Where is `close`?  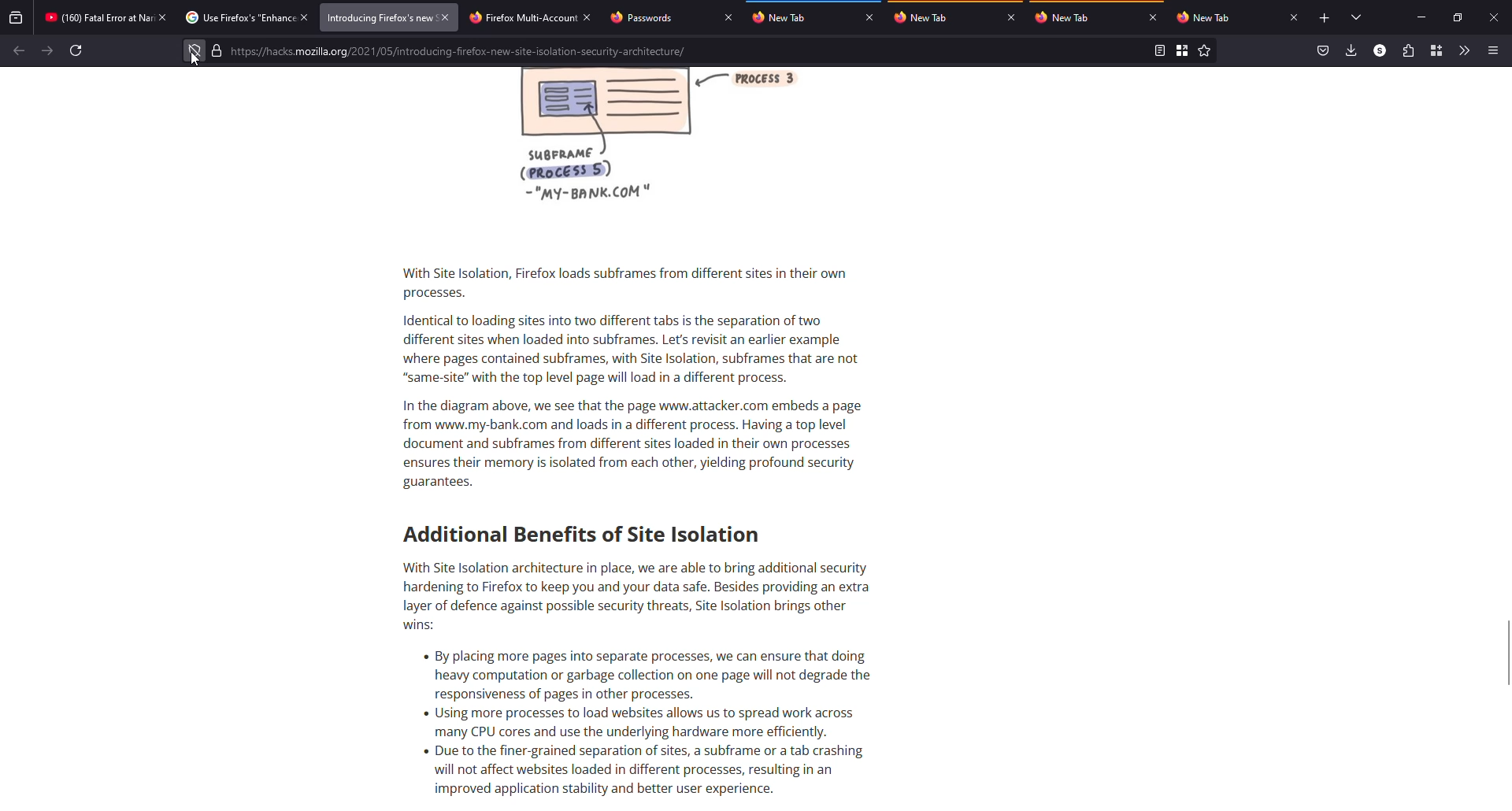 close is located at coordinates (1154, 18).